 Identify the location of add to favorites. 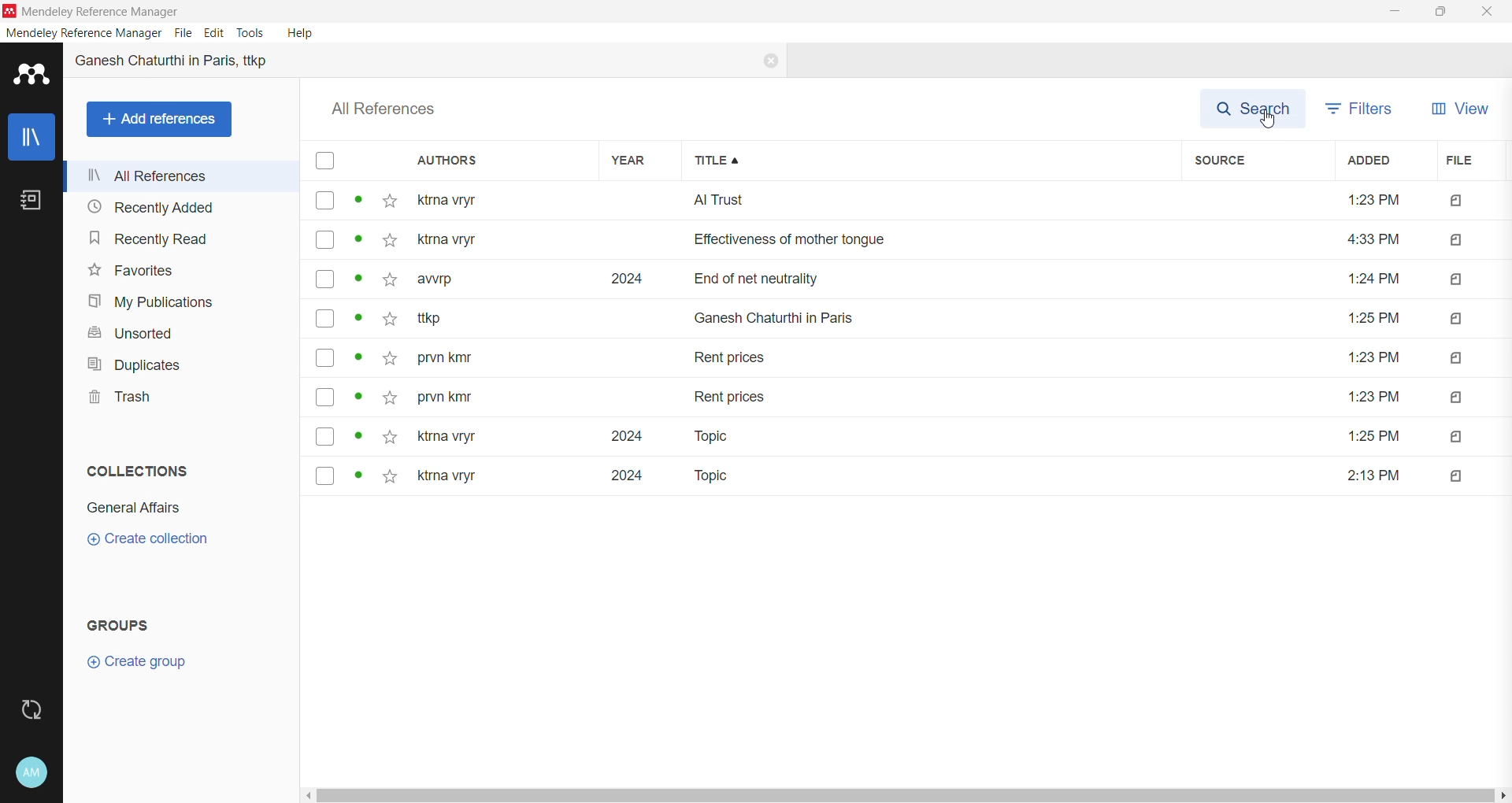
(391, 359).